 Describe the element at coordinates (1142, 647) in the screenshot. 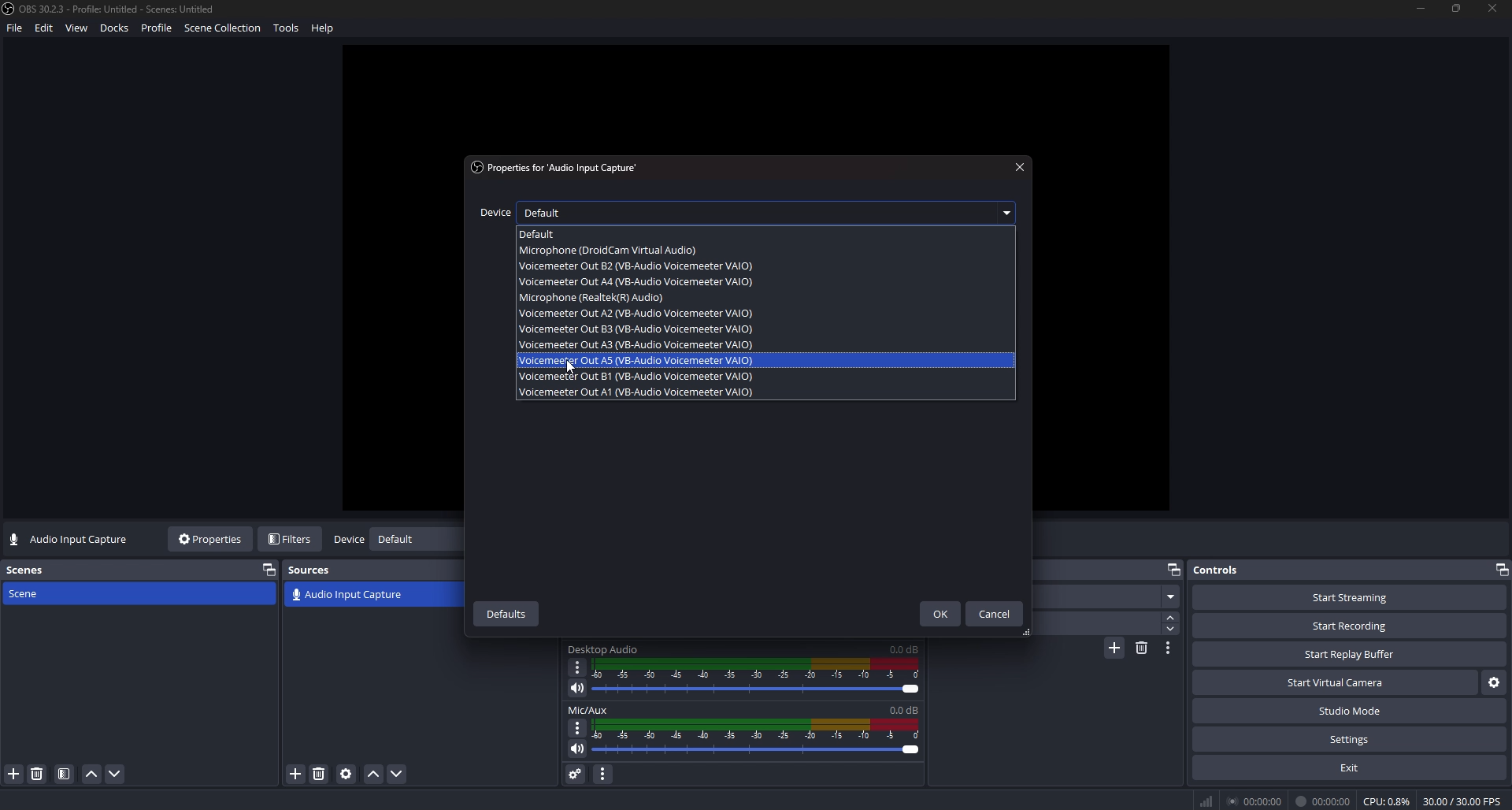

I see `remove transition` at that location.